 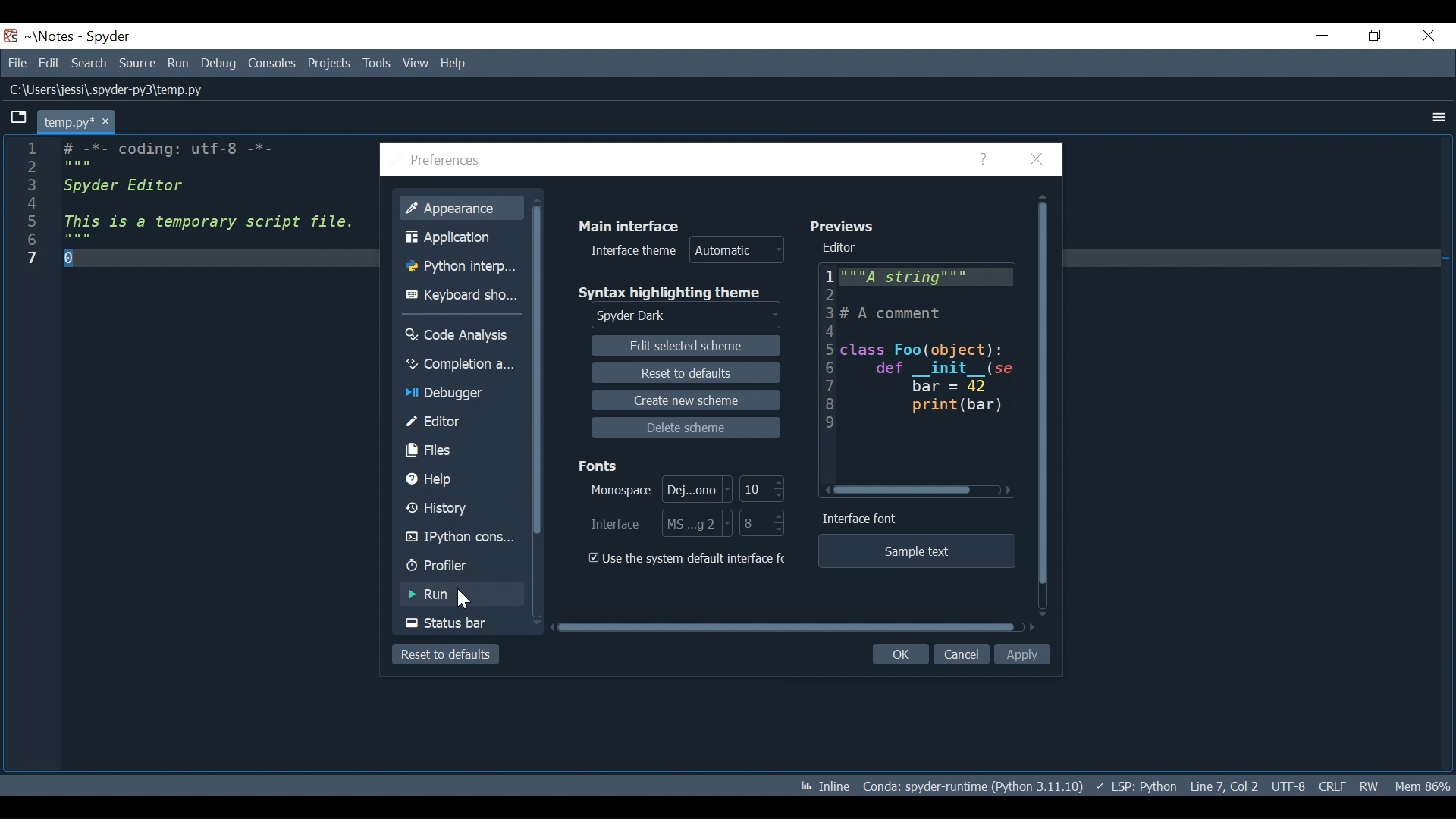 What do you see at coordinates (786, 629) in the screenshot?
I see `Horizontal Scroll bar` at bounding box center [786, 629].